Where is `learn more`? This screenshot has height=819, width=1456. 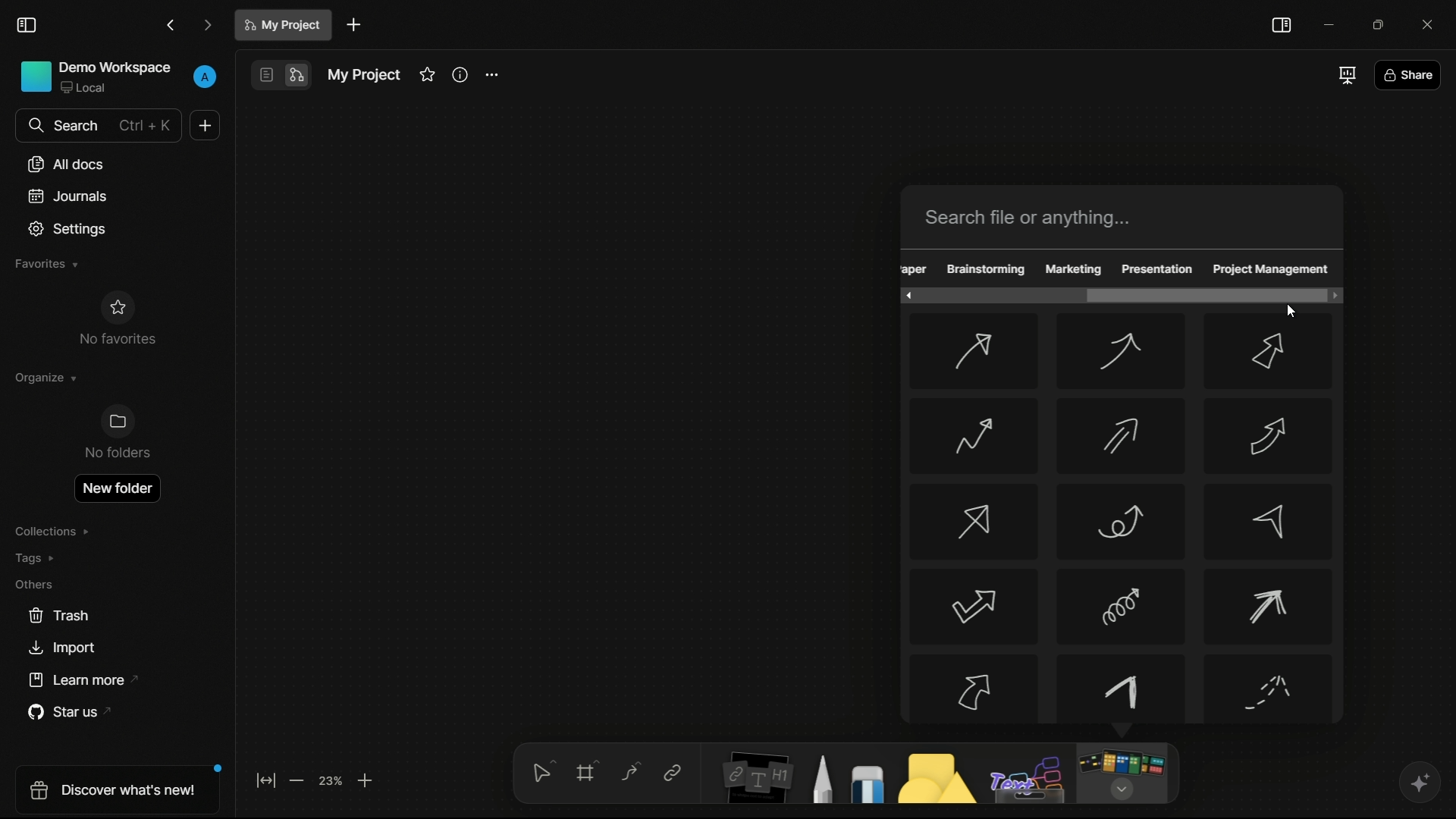
learn more is located at coordinates (86, 680).